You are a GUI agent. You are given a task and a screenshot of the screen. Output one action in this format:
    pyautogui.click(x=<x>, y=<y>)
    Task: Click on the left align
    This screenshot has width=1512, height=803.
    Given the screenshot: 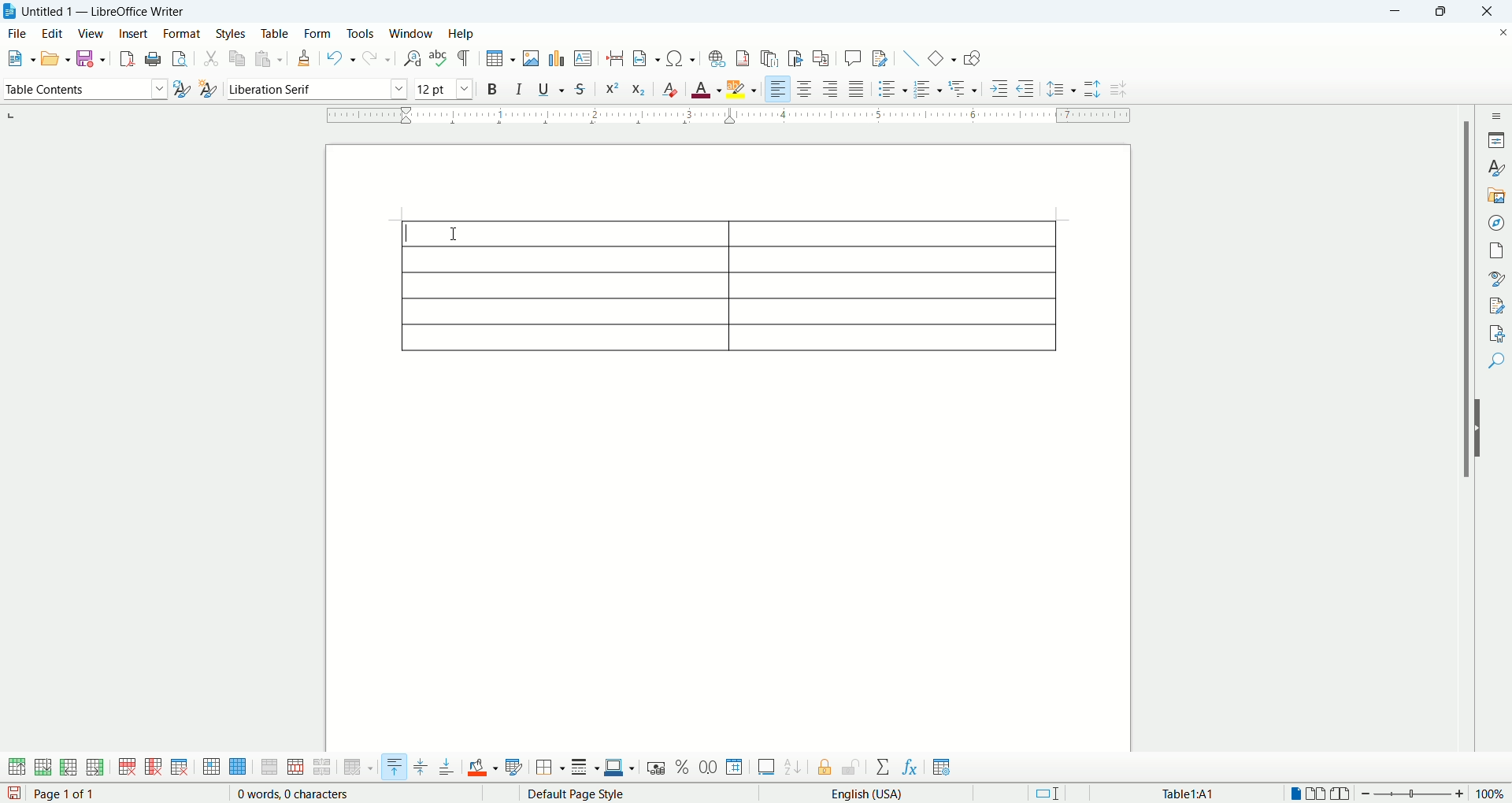 What is the action you would take?
    pyautogui.click(x=831, y=87)
    